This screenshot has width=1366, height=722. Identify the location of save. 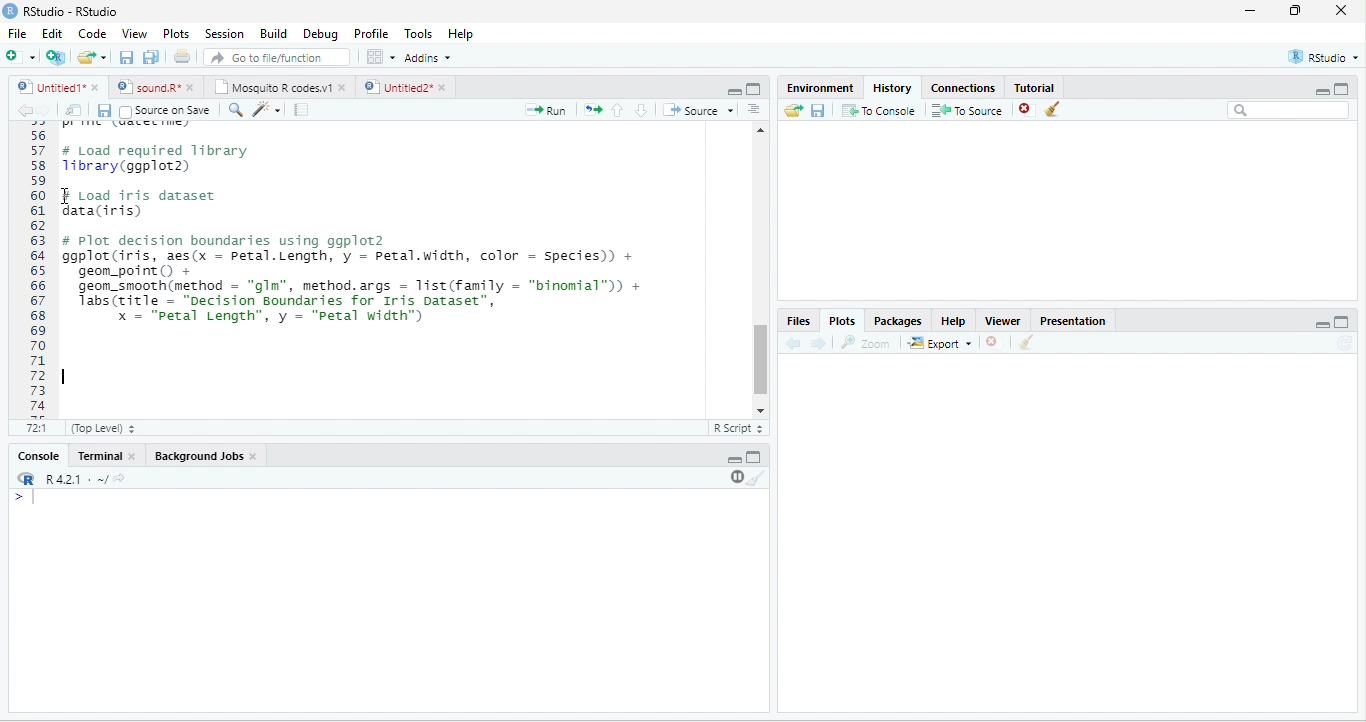
(126, 57).